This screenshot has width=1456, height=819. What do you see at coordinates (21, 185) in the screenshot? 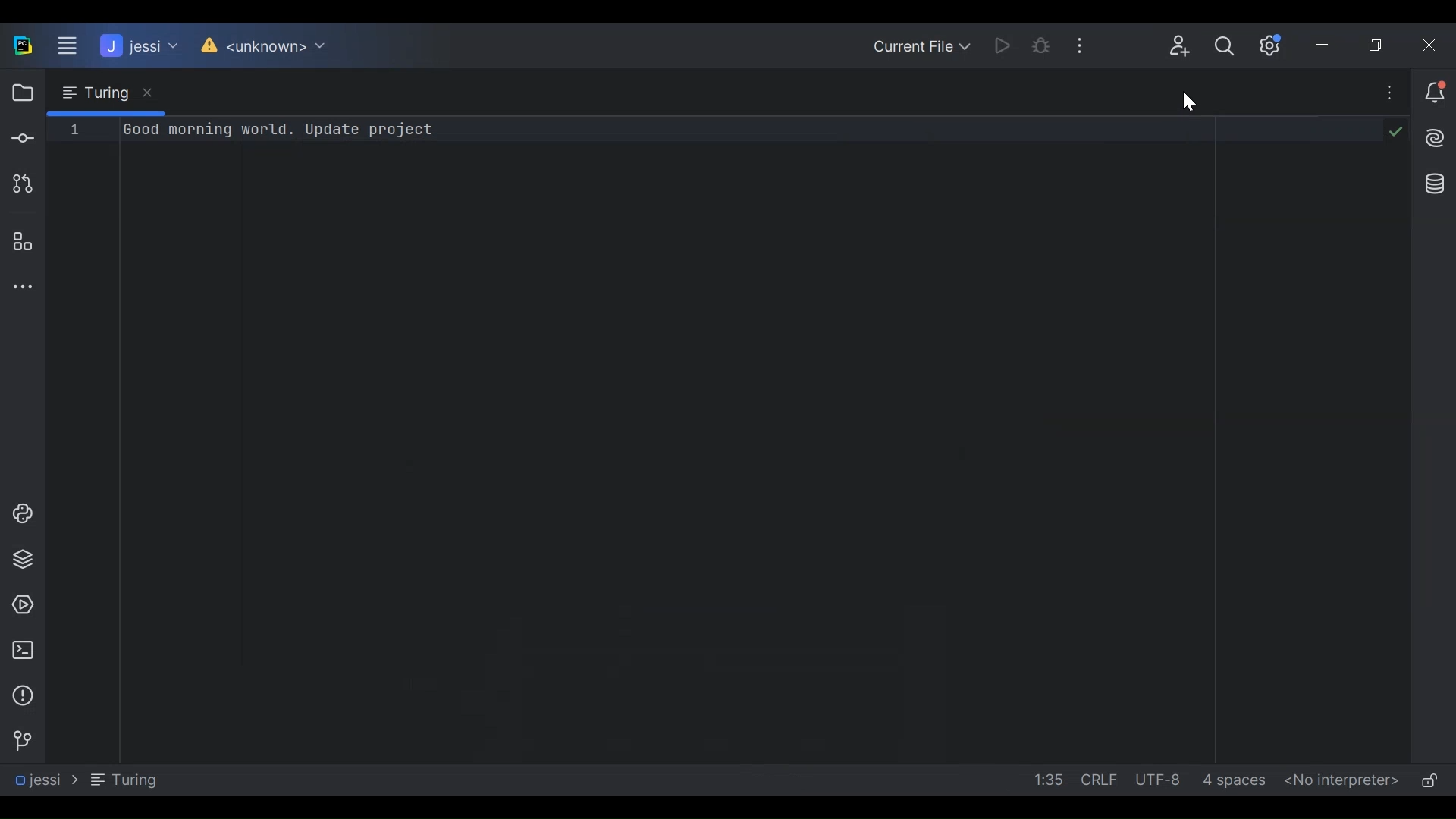
I see `Pull Request` at bounding box center [21, 185].